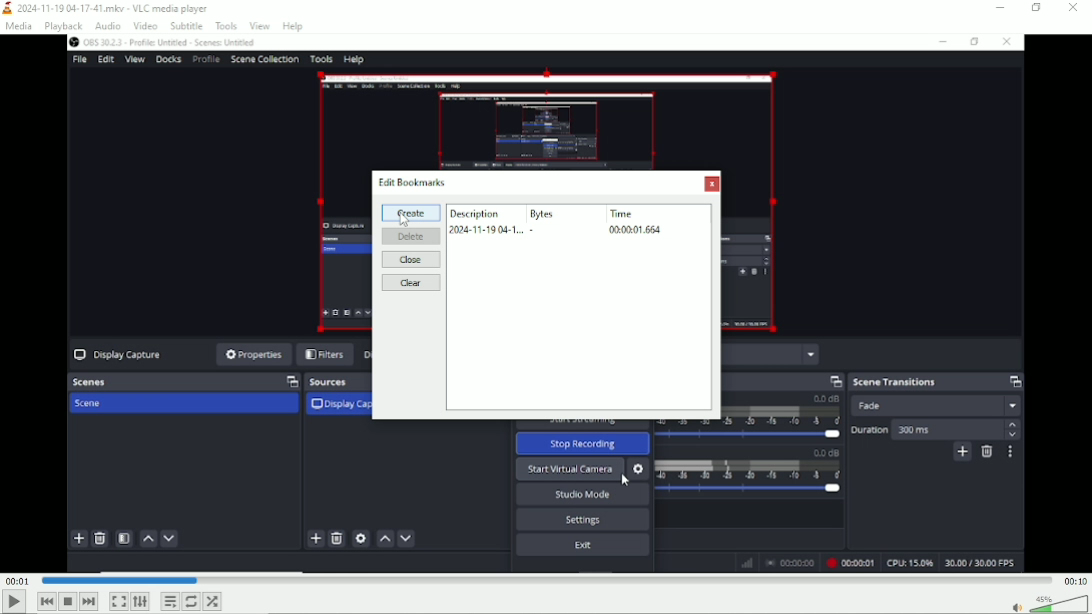  What do you see at coordinates (169, 602) in the screenshot?
I see `Toggle playlist` at bounding box center [169, 602].